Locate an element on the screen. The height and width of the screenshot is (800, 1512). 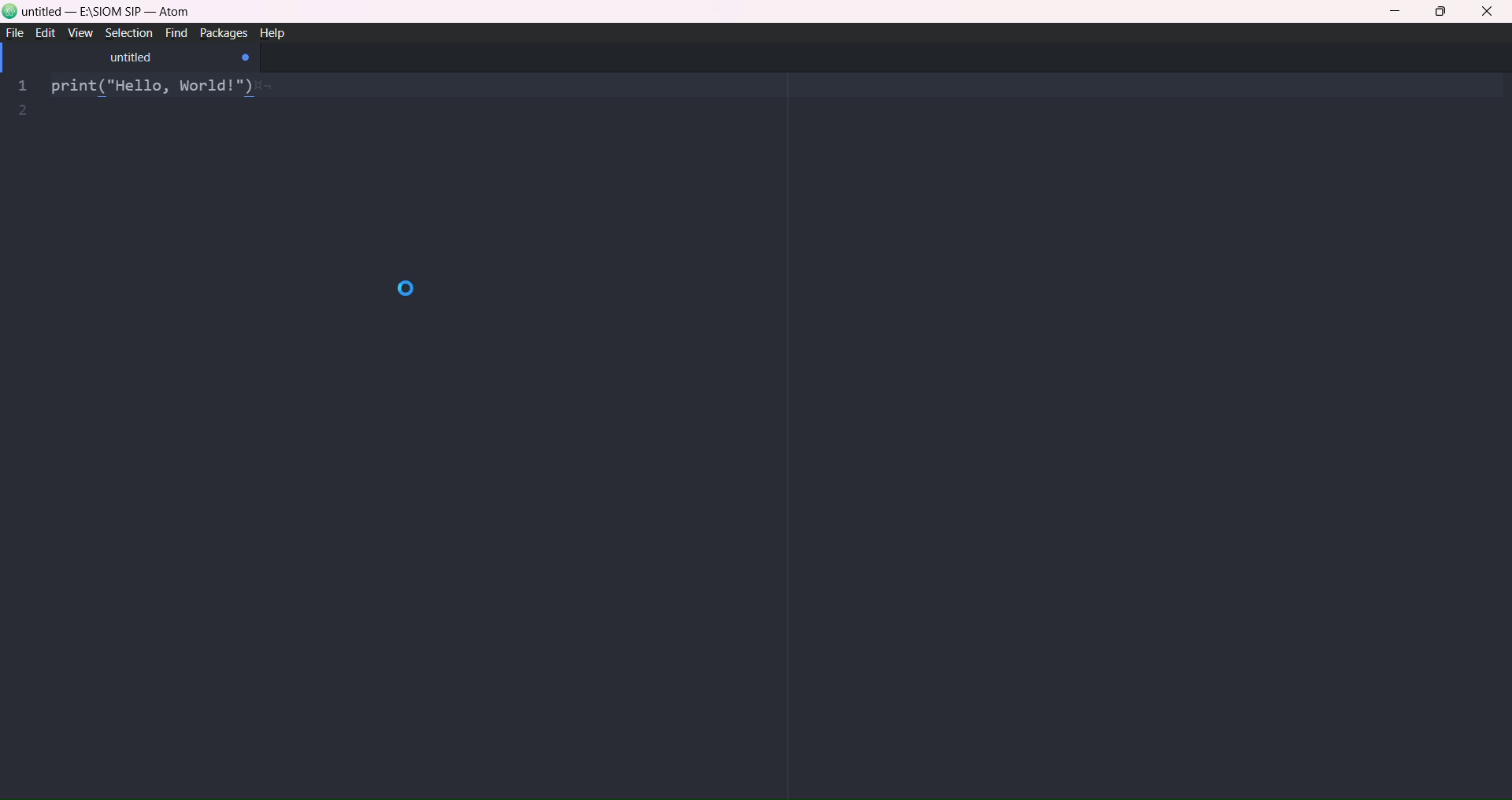
edit is located at coordinates (42, 33).